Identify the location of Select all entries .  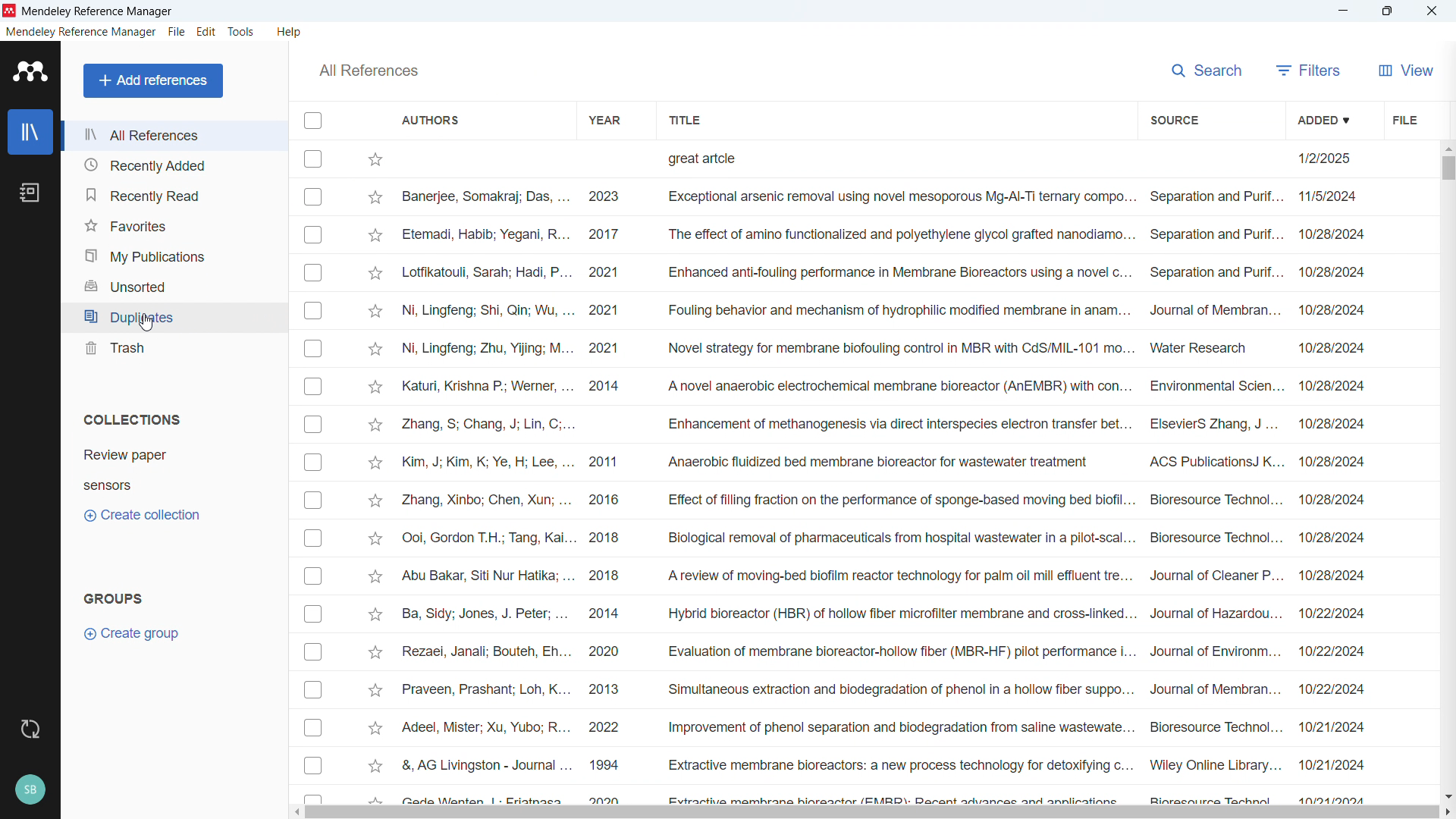
(313, 120).